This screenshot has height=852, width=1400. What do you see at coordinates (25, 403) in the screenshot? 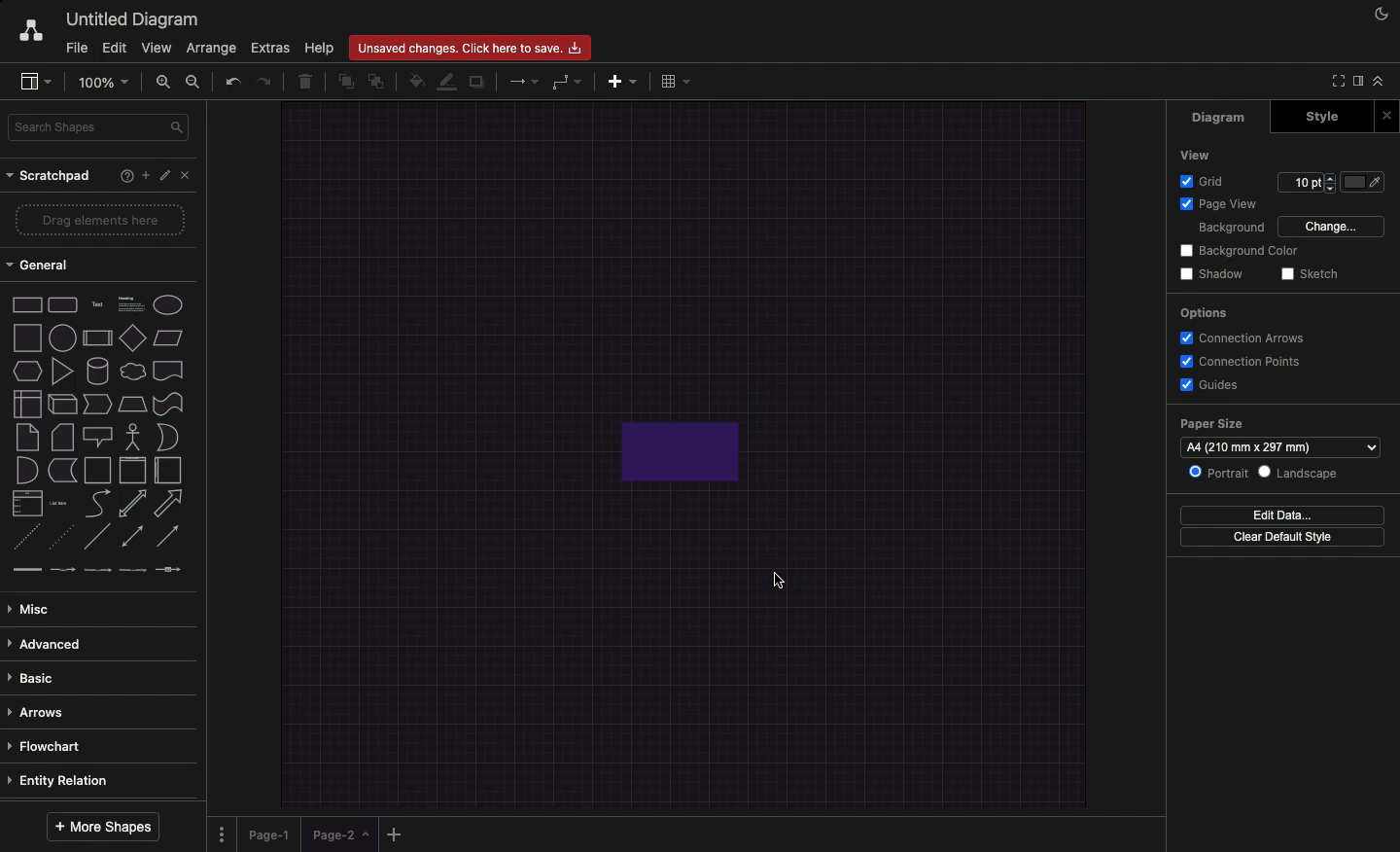
I see `internal storage` at bounding box center [25, 403].